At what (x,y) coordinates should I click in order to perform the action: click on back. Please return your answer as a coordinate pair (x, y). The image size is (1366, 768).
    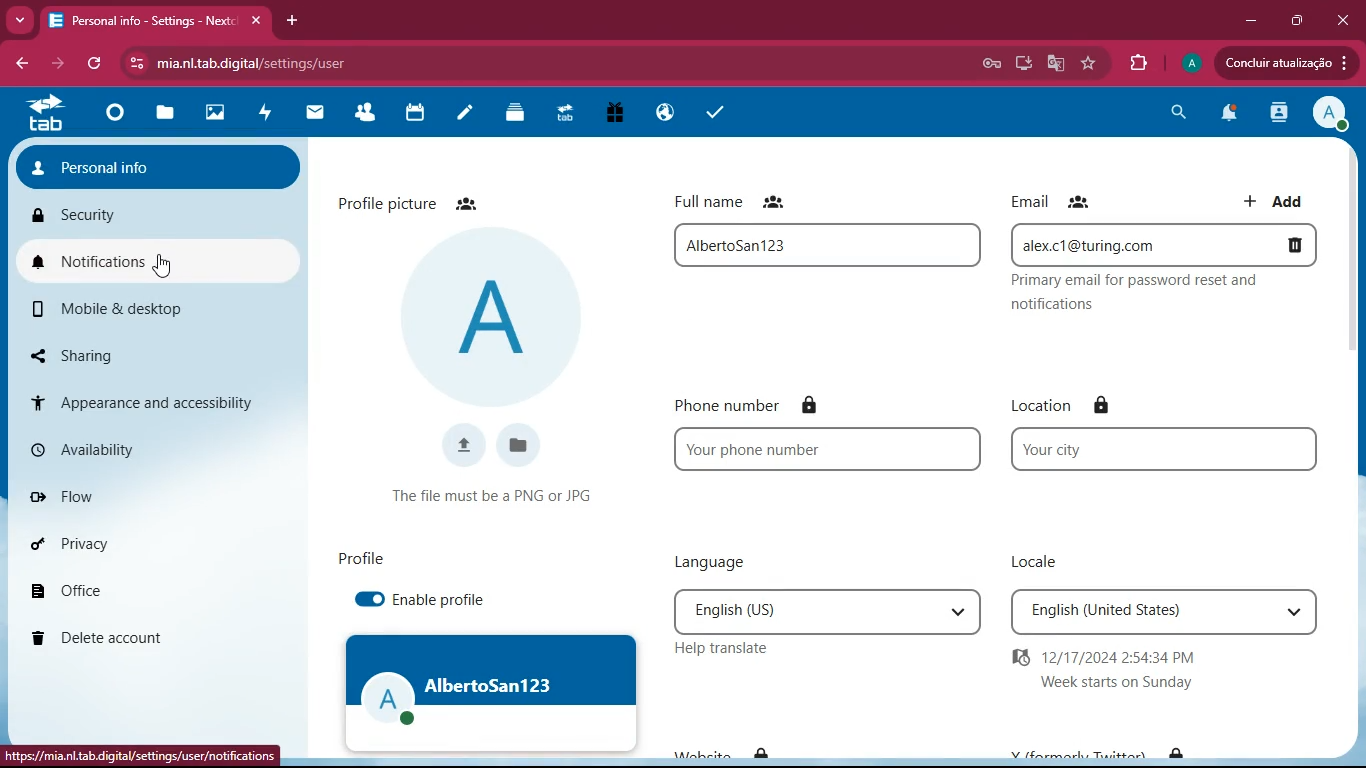
    Looking at the image, I should click on (25, 63).